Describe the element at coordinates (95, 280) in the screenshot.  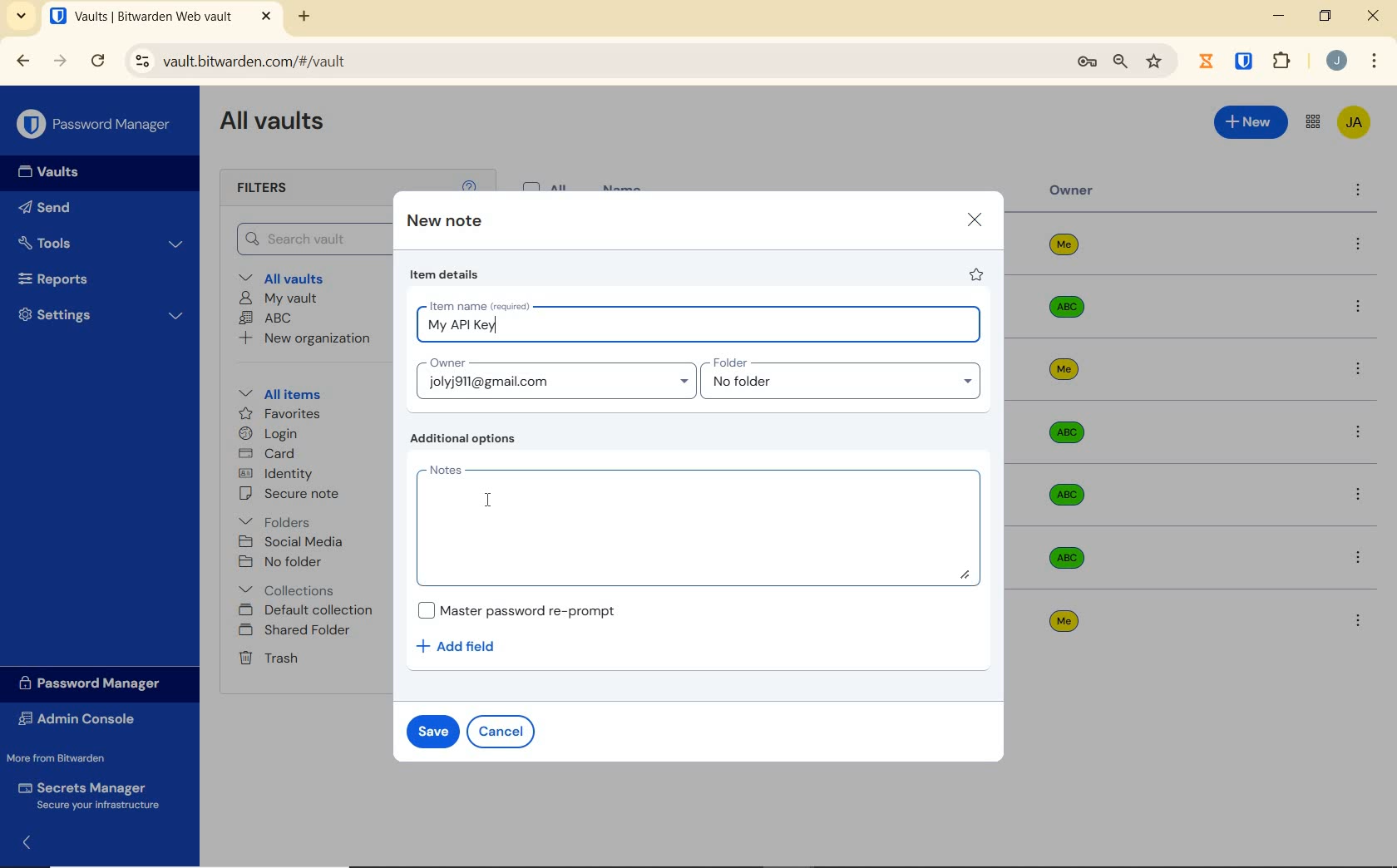
I see `Reports` at that location.